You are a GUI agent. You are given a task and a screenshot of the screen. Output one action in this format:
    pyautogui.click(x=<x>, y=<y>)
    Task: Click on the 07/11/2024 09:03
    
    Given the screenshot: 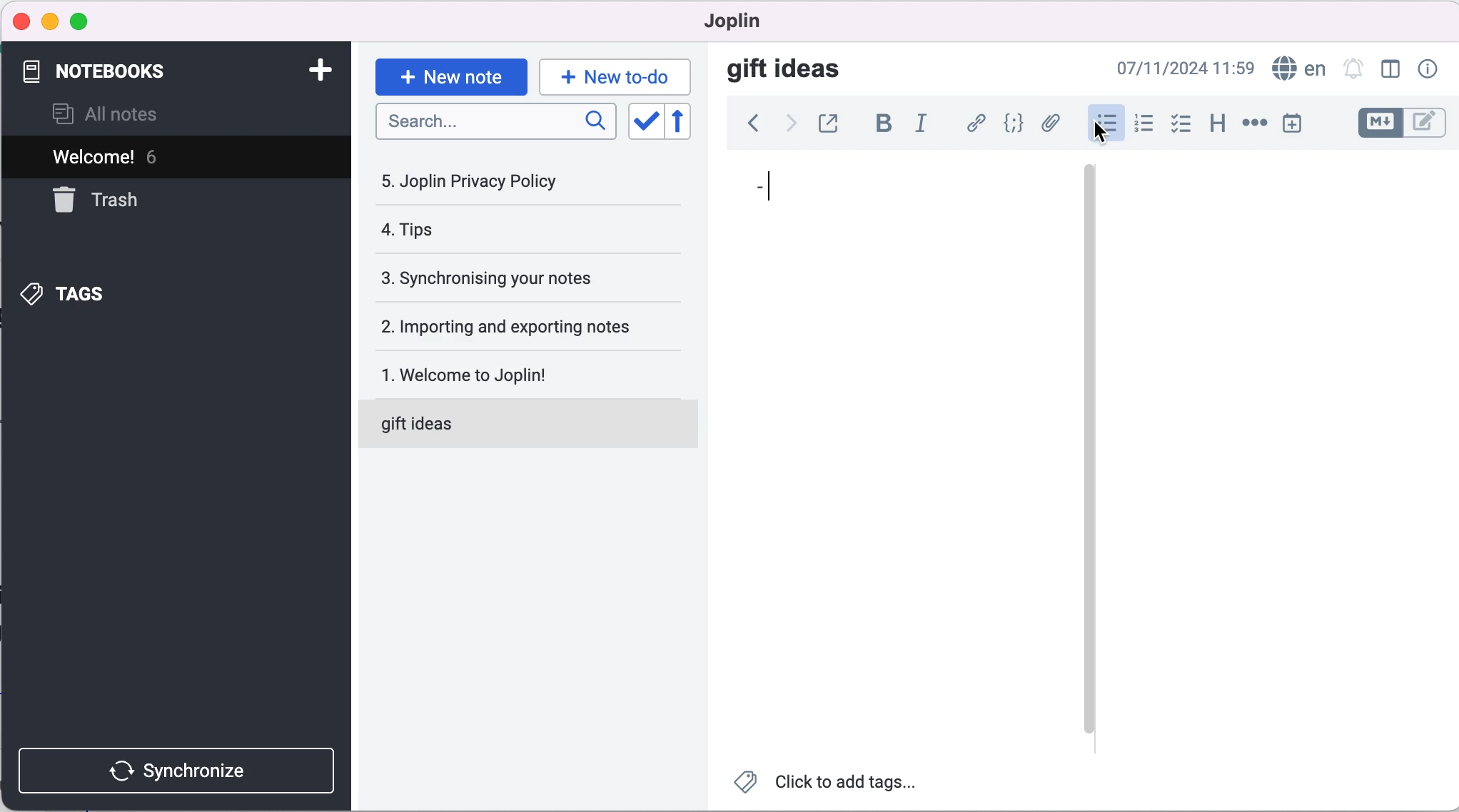 What is the action you would take?
    pyautogui.click(x=1171, y=69)
    